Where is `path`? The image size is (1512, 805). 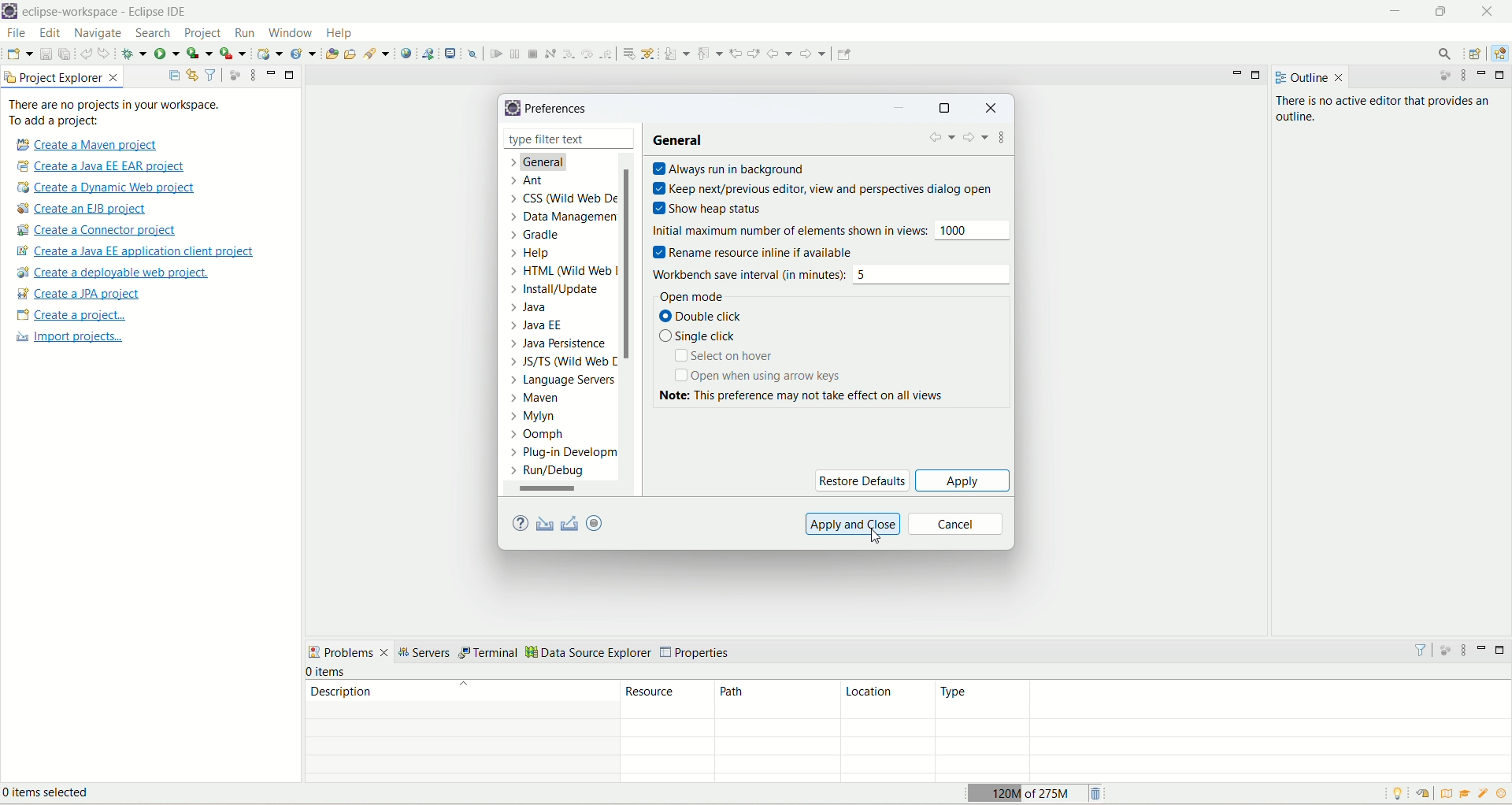
path is located at coordinates (773, 700).